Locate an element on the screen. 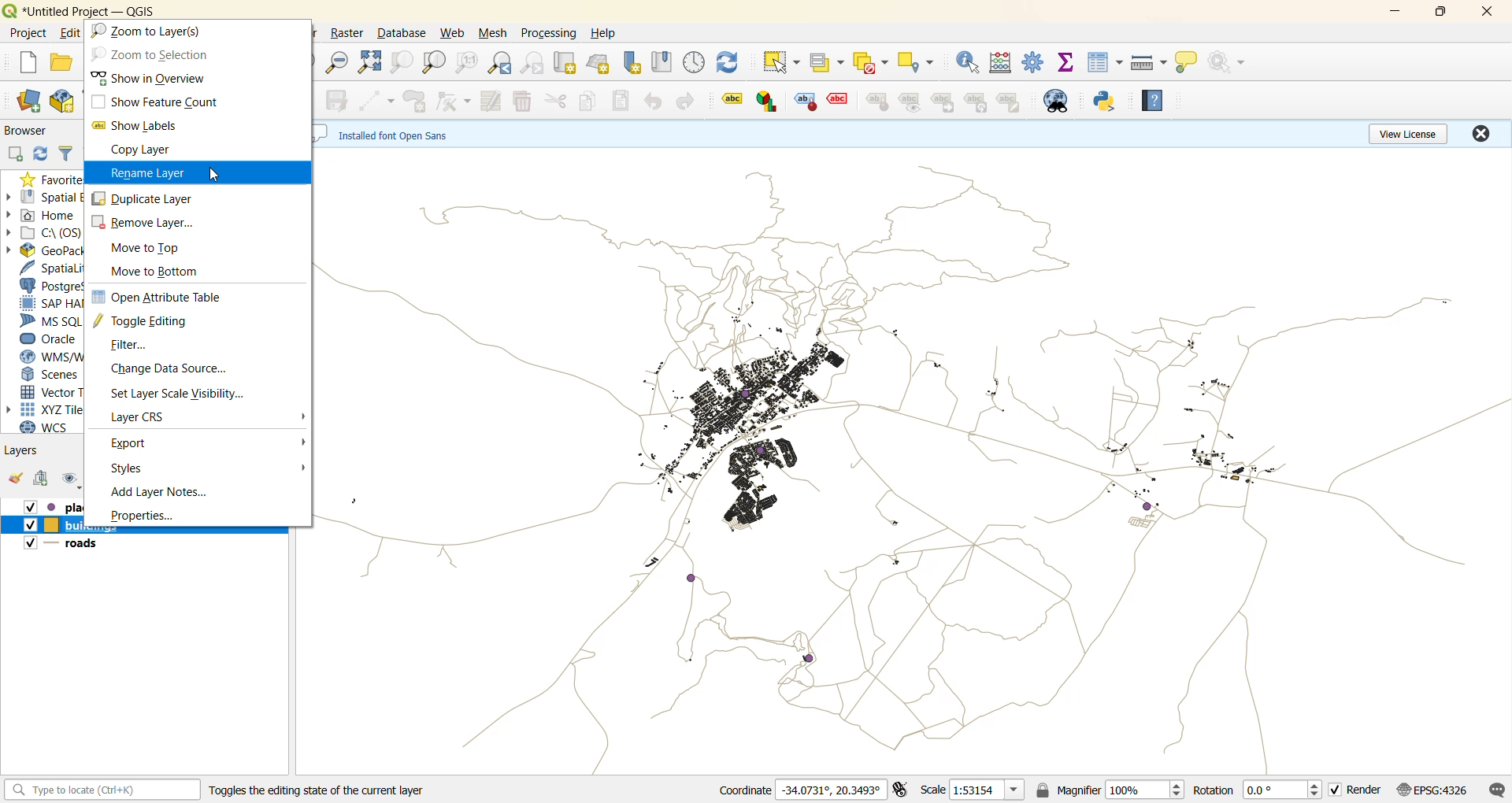 This screenshot has width=1512, height=803. postgresql is located at coordinates (53, 287).